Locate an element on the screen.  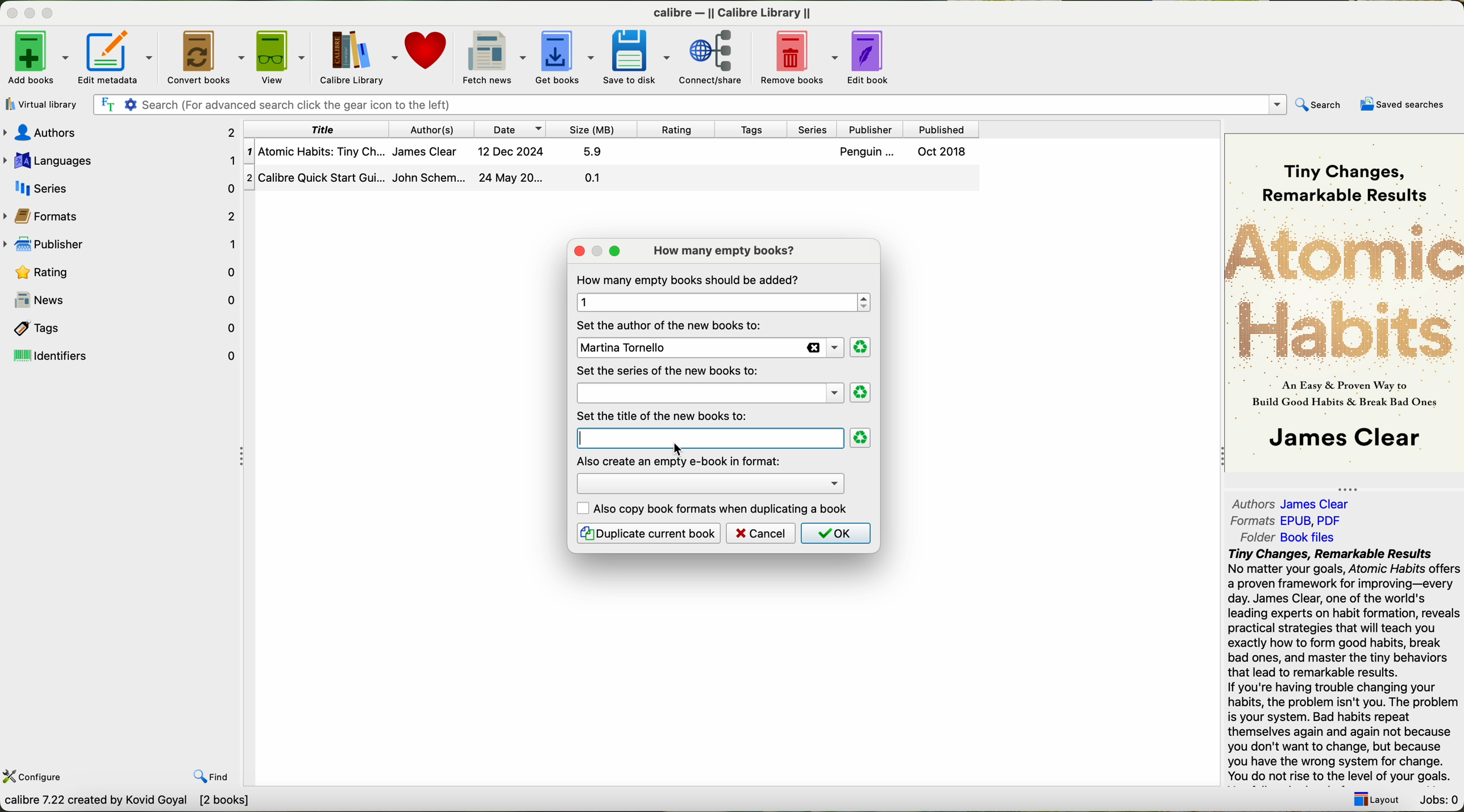
formats is located at coordinates (123, 217).